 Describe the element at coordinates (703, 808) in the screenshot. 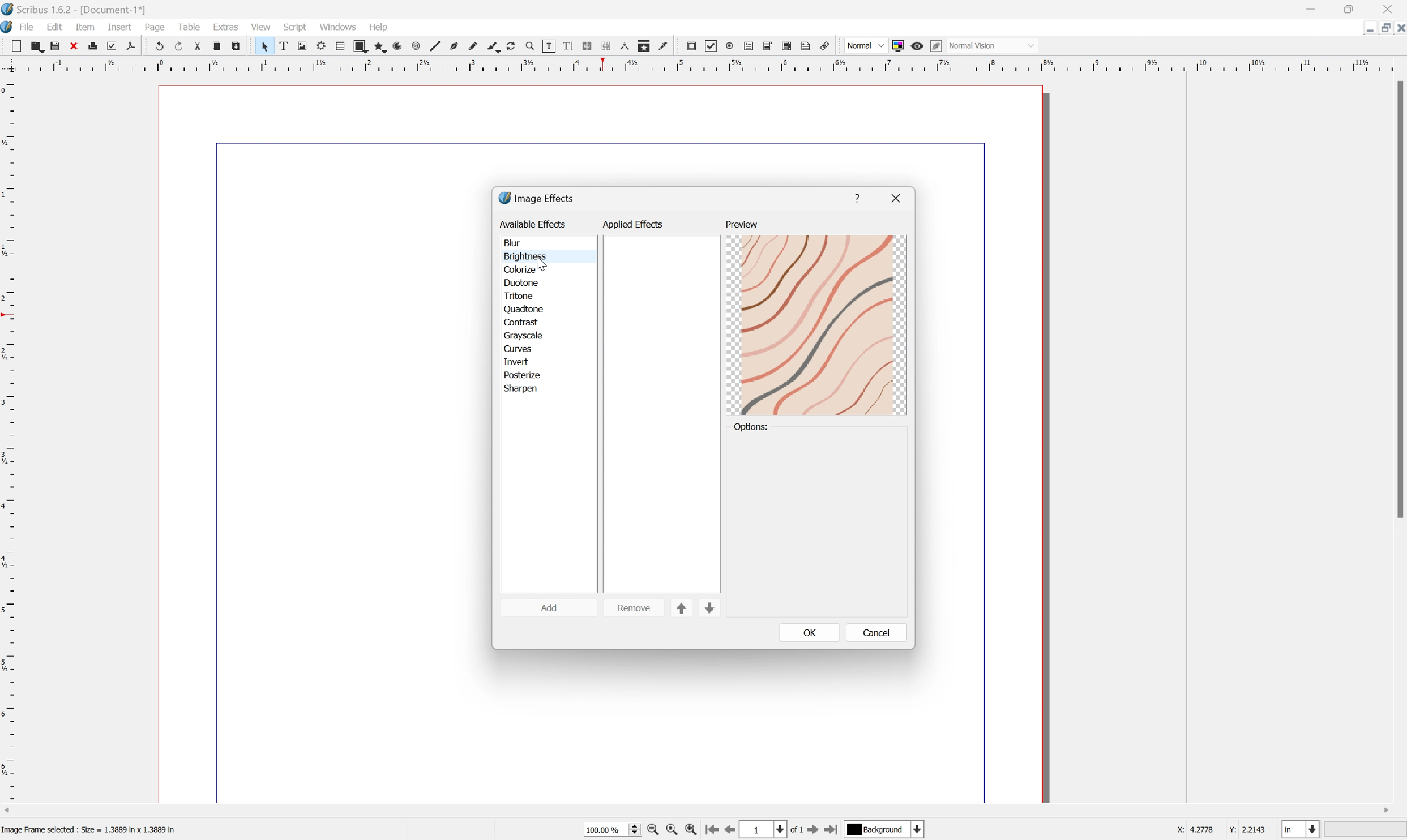

I see `Scroll bar` at that location.